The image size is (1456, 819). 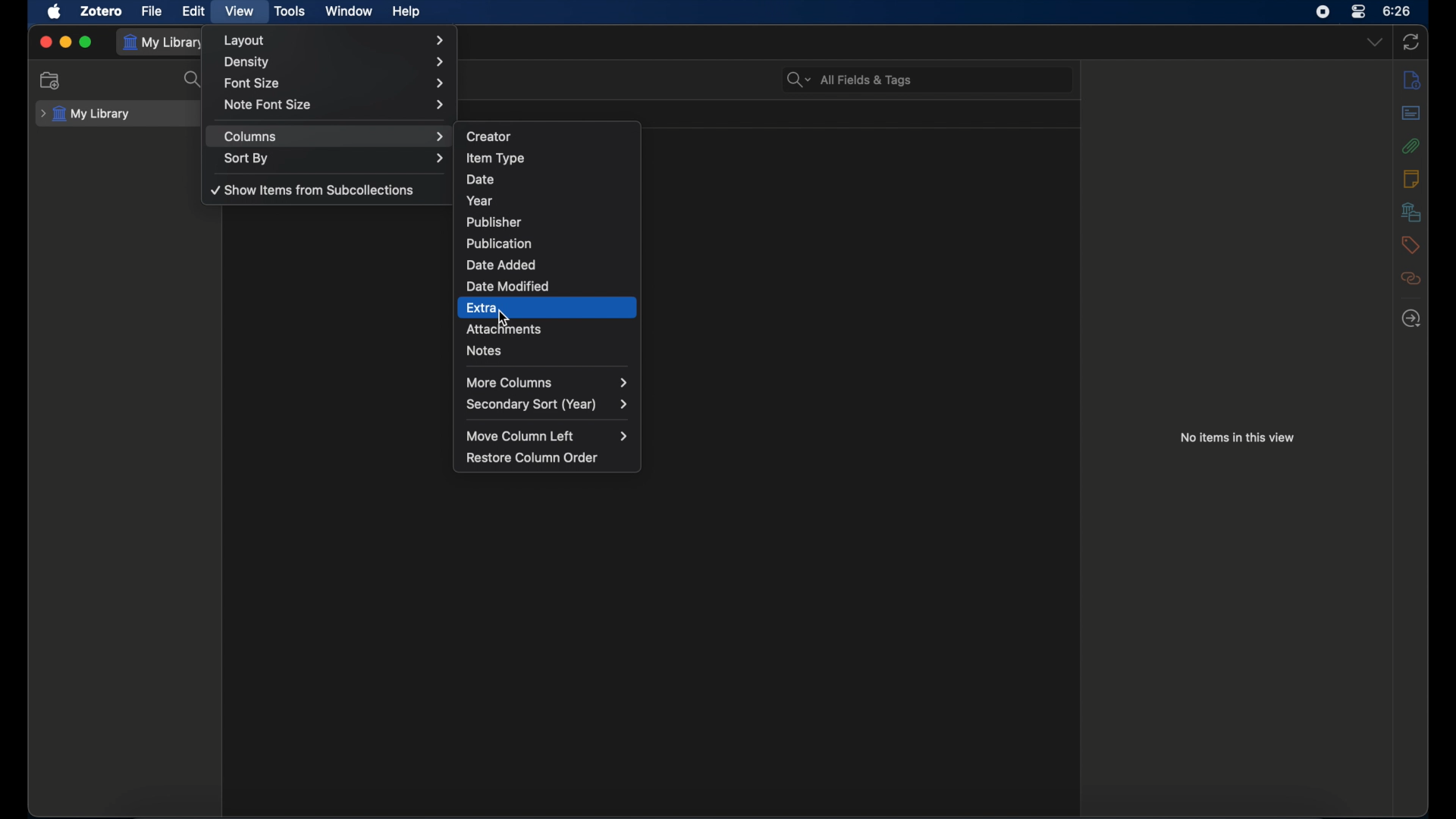 What do you see at coordinates (408, 11) in the screenshot?
I see `help` at bounding box center [408, 11].